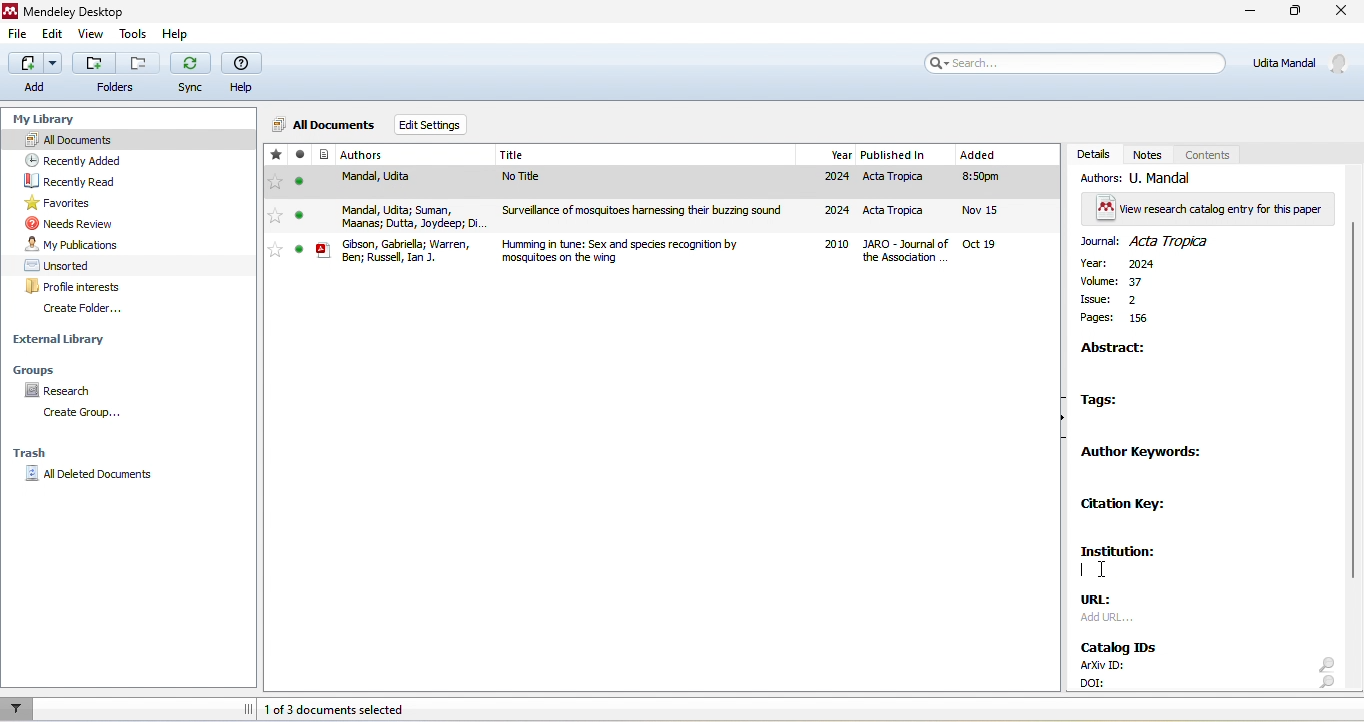  Describe the element at coordinates (908, 155) in the screenshot. I see `published in` at that location.